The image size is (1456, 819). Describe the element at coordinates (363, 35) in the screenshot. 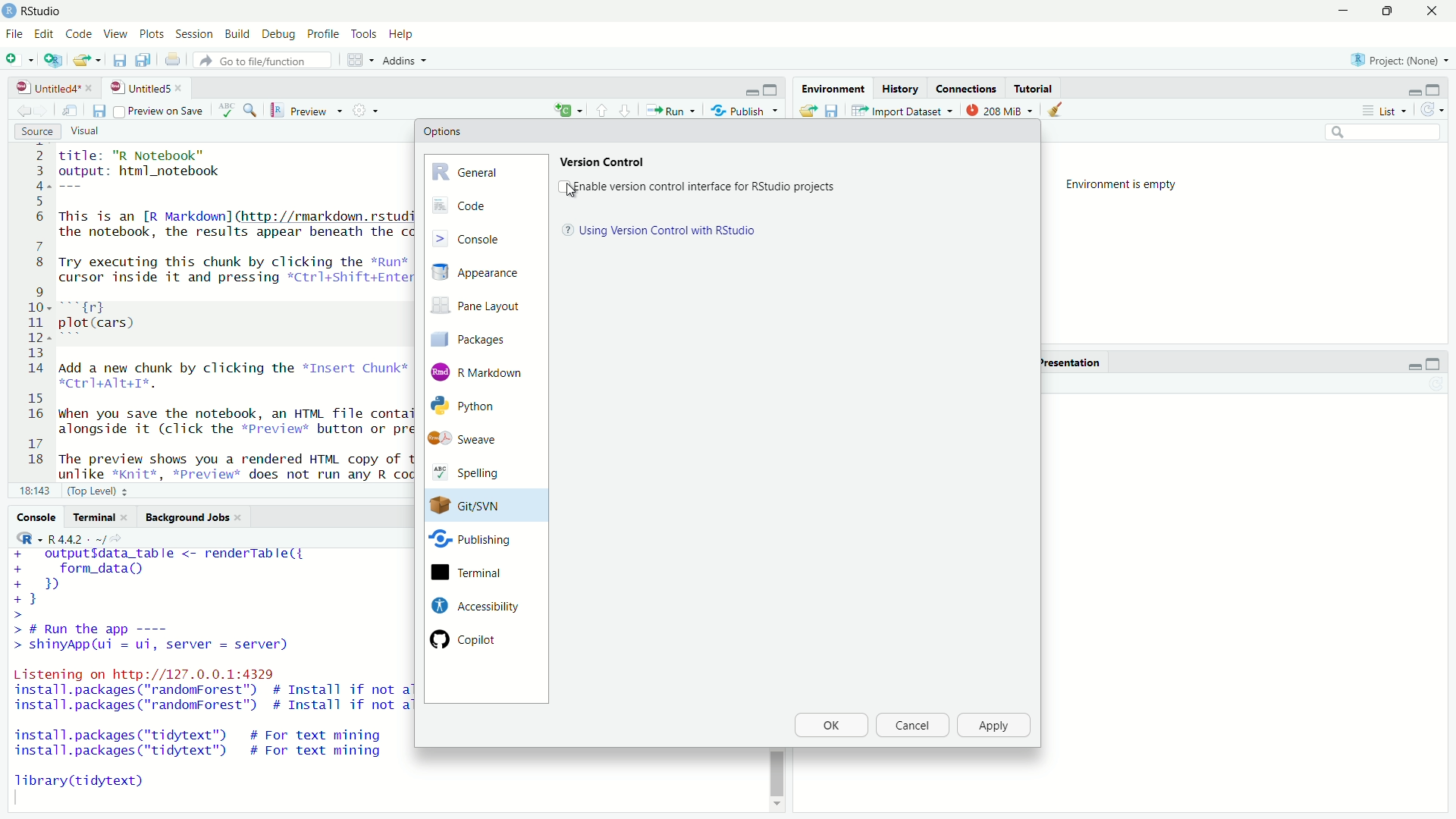

I see `Toys` at that location.